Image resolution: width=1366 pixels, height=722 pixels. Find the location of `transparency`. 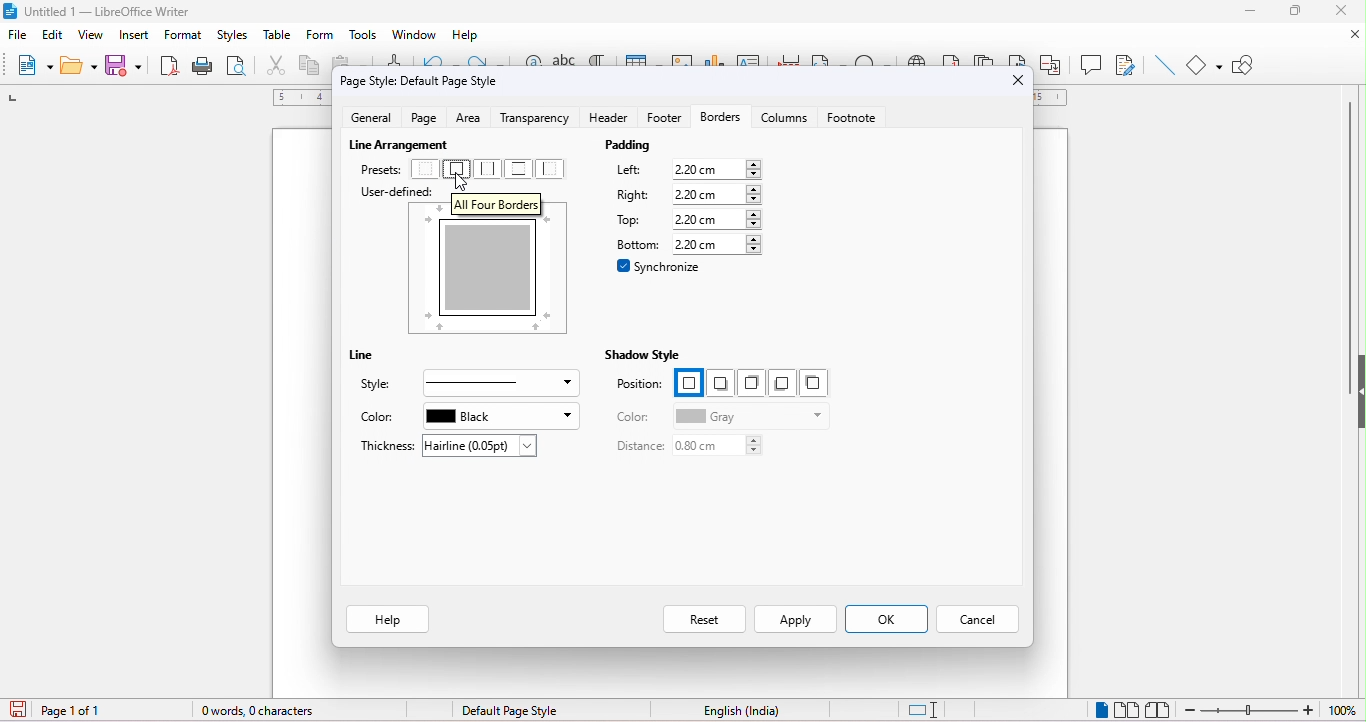

transparency is located at coordinates (537, 119).